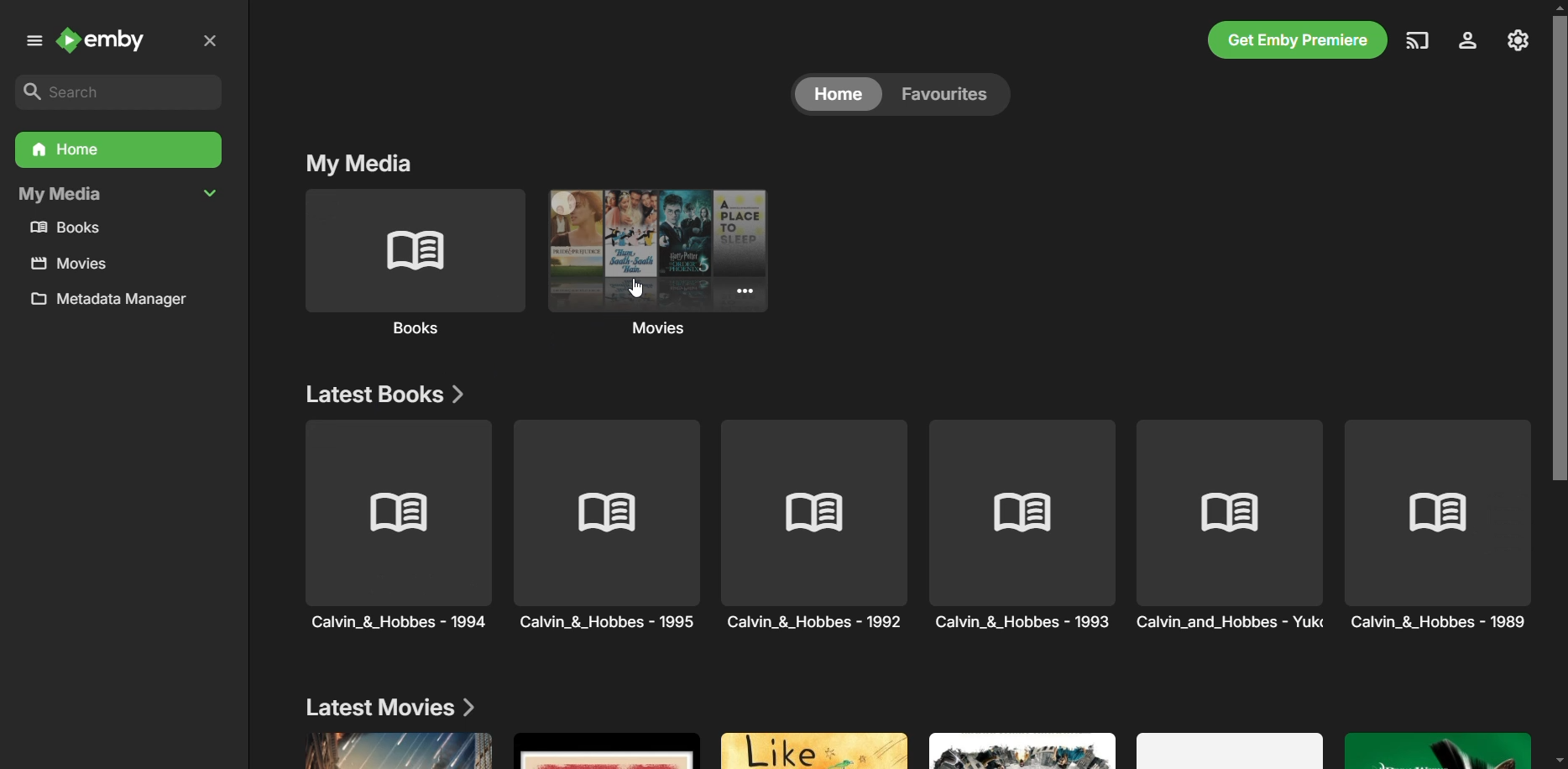 This screenshot has width=1568, height=769. I want to click on Books, so click(72, 228).